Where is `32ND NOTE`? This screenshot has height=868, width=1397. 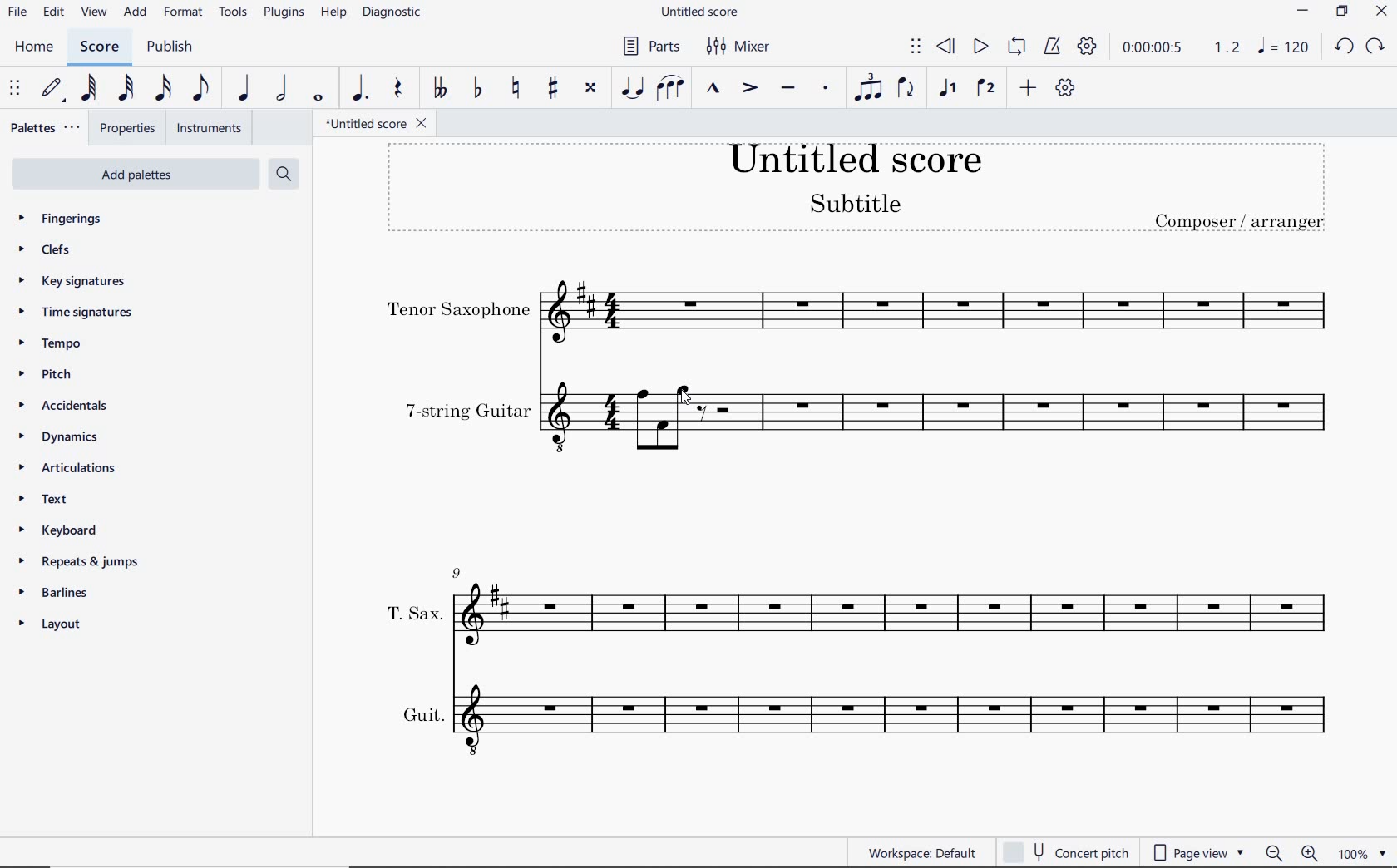
32ND NOTE is located at coordinates (124, 89).